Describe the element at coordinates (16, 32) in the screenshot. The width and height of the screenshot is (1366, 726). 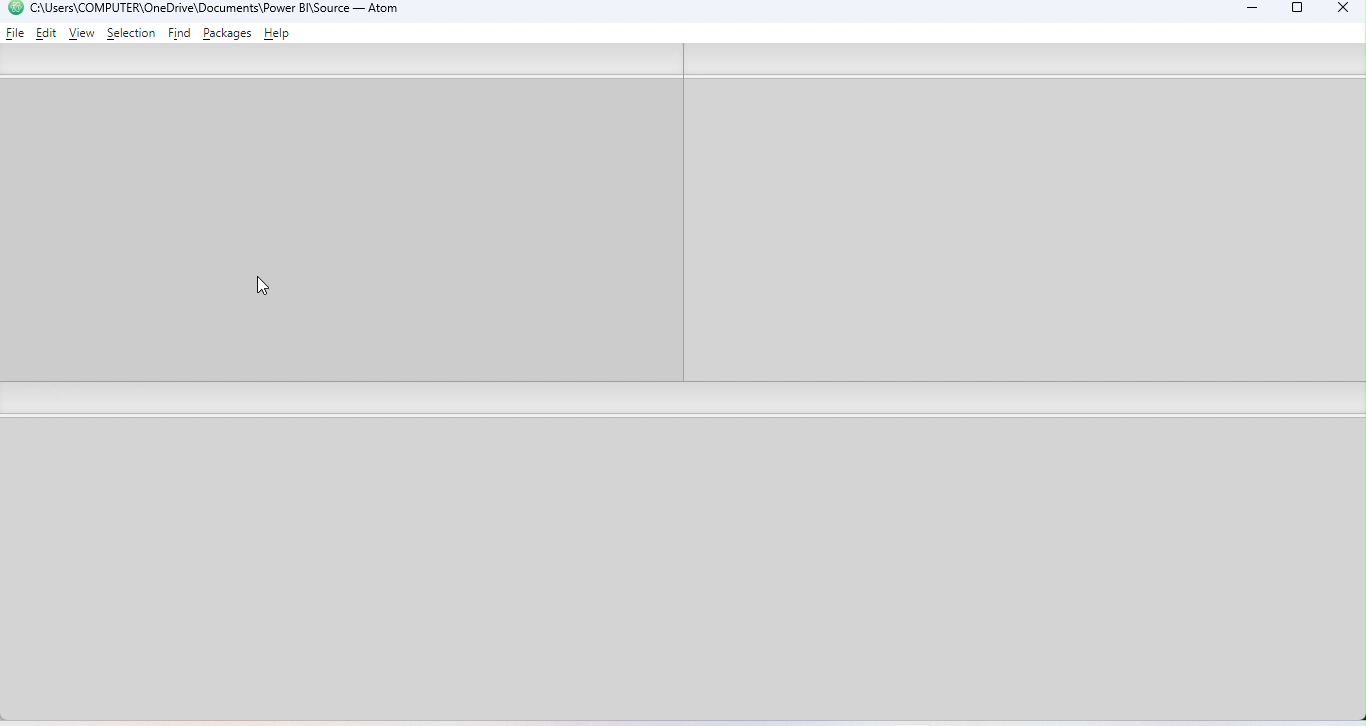
I see `File` at that location.